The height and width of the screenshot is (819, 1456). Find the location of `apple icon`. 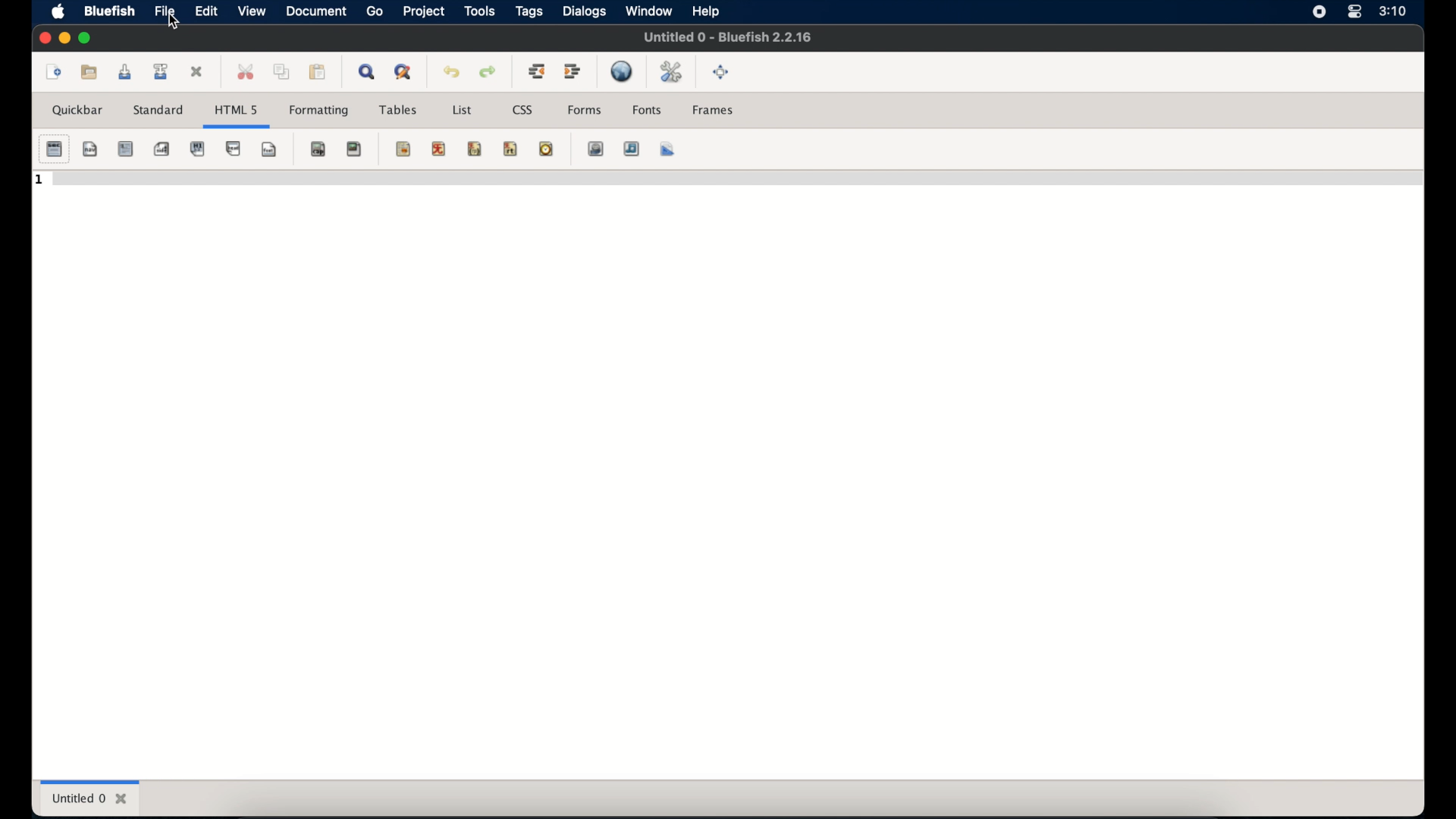

apple icon is located at coordinates (58, 13).